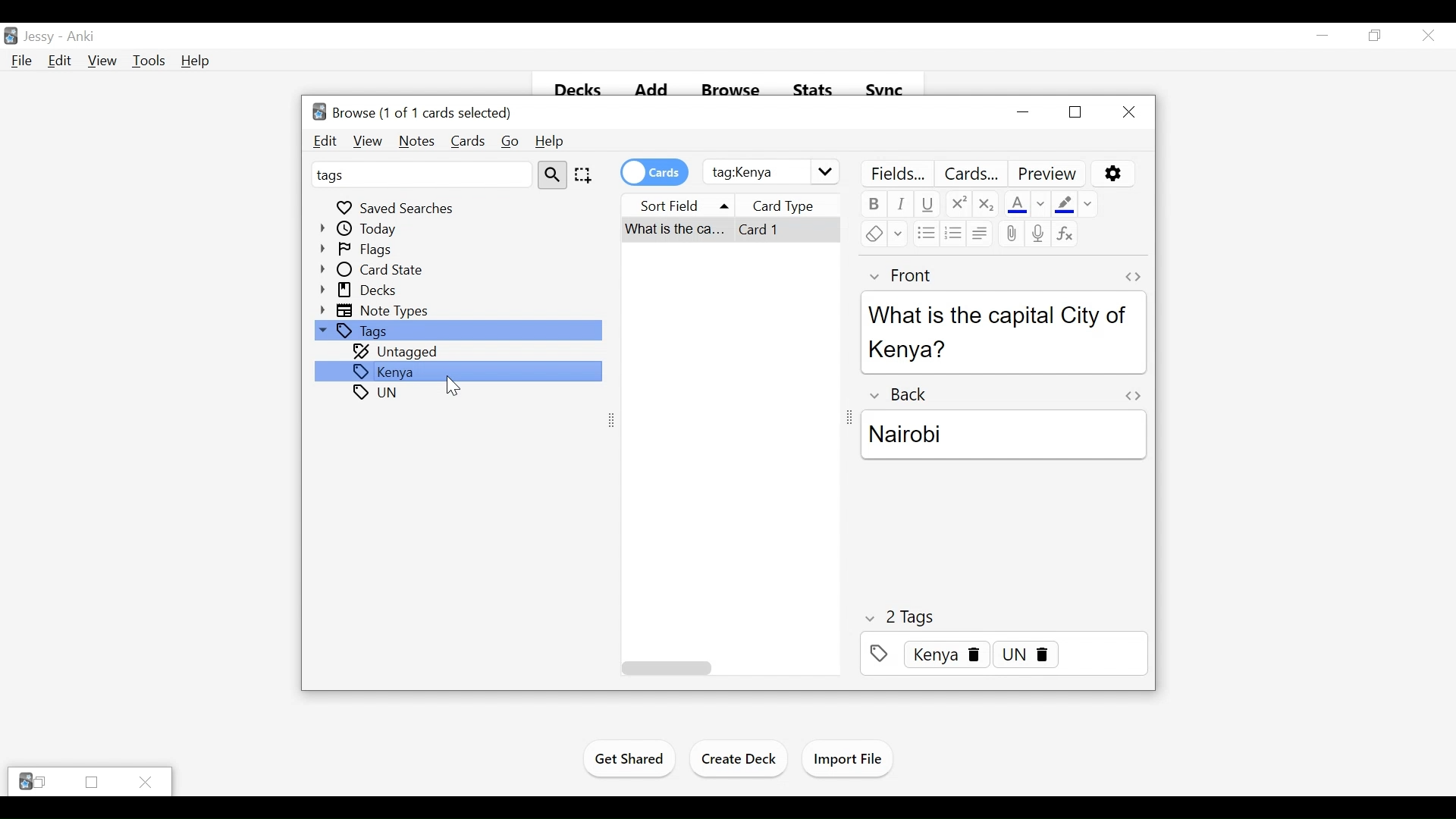 This screenshot has width=1456, height=819. I want to click on Flags, so click(360, 249).